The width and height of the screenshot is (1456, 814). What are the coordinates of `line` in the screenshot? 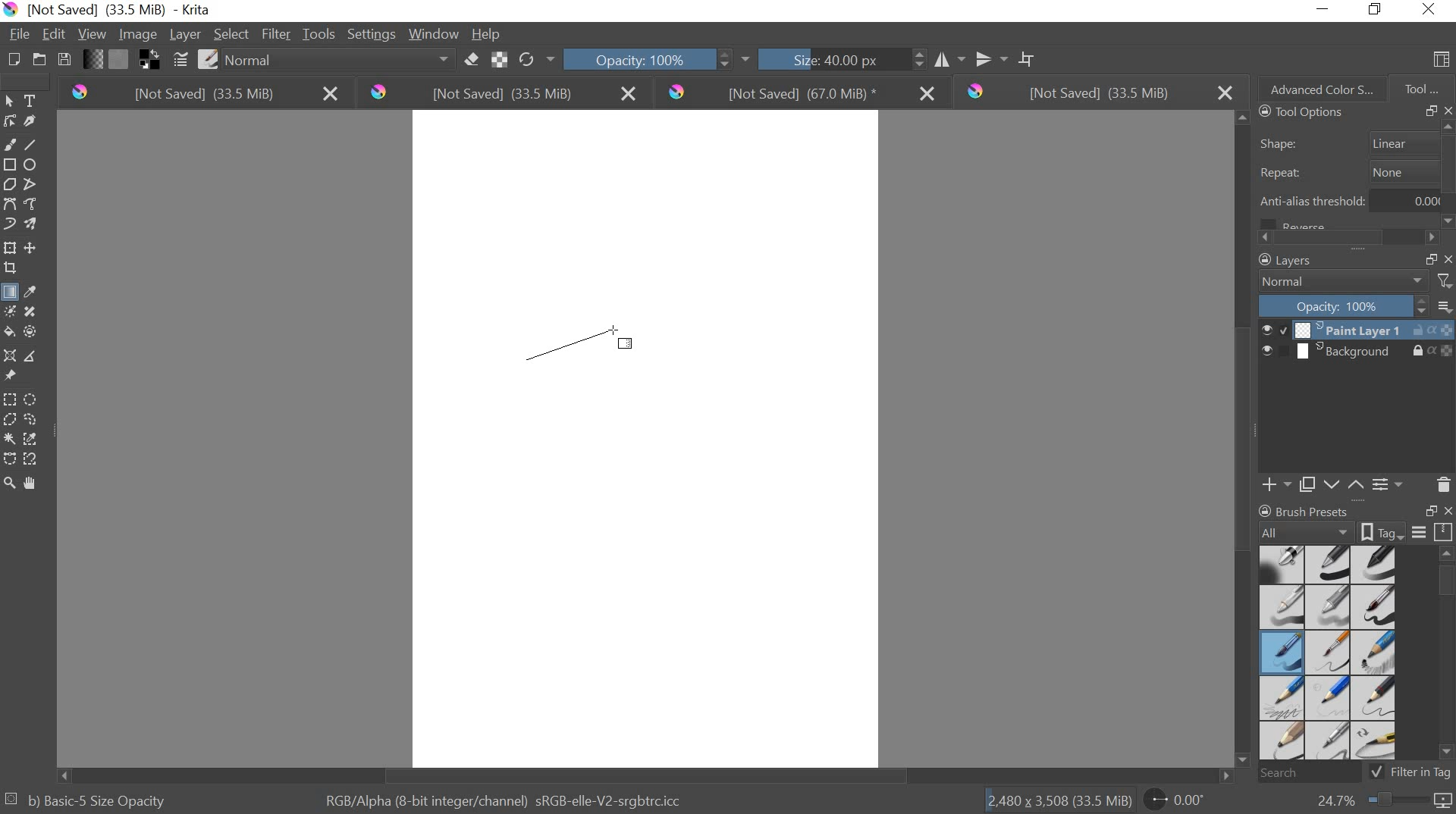 It's located at (35, 146).